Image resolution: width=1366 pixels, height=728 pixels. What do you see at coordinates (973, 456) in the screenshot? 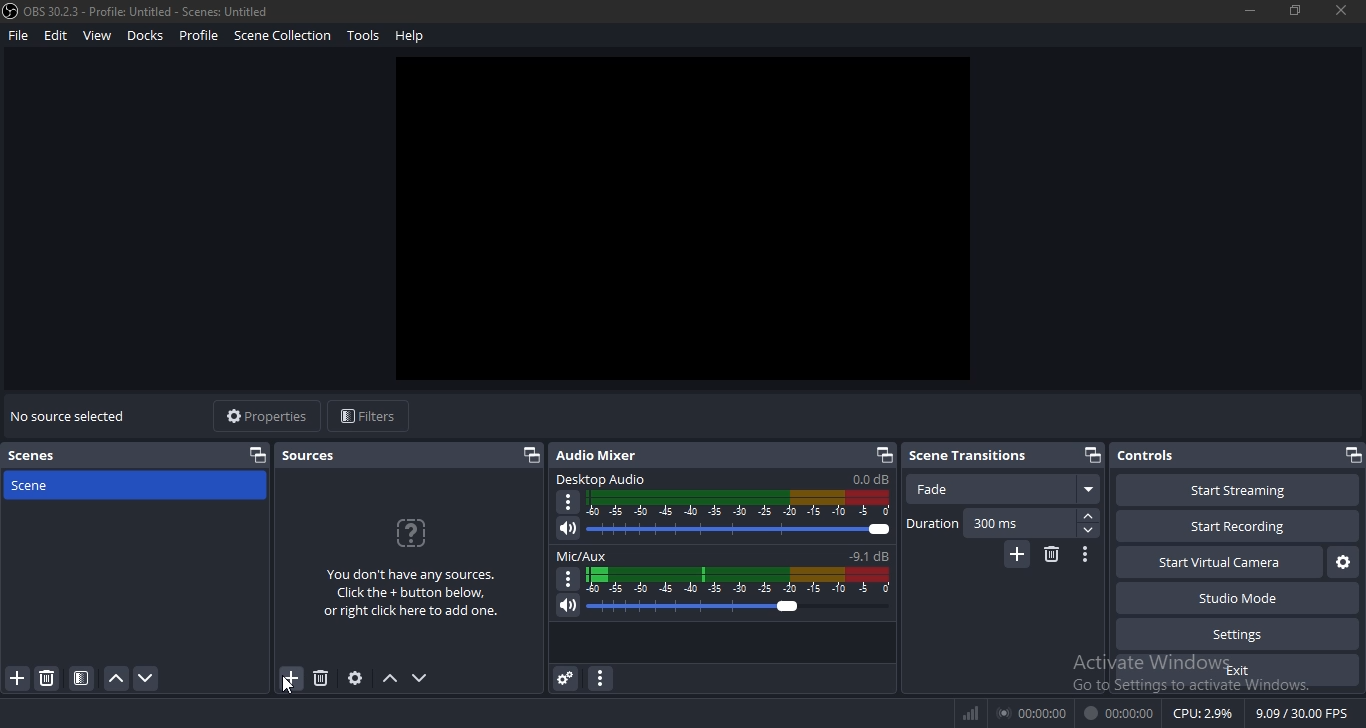
I see `scene transitions` at bounding box center [973, 456].